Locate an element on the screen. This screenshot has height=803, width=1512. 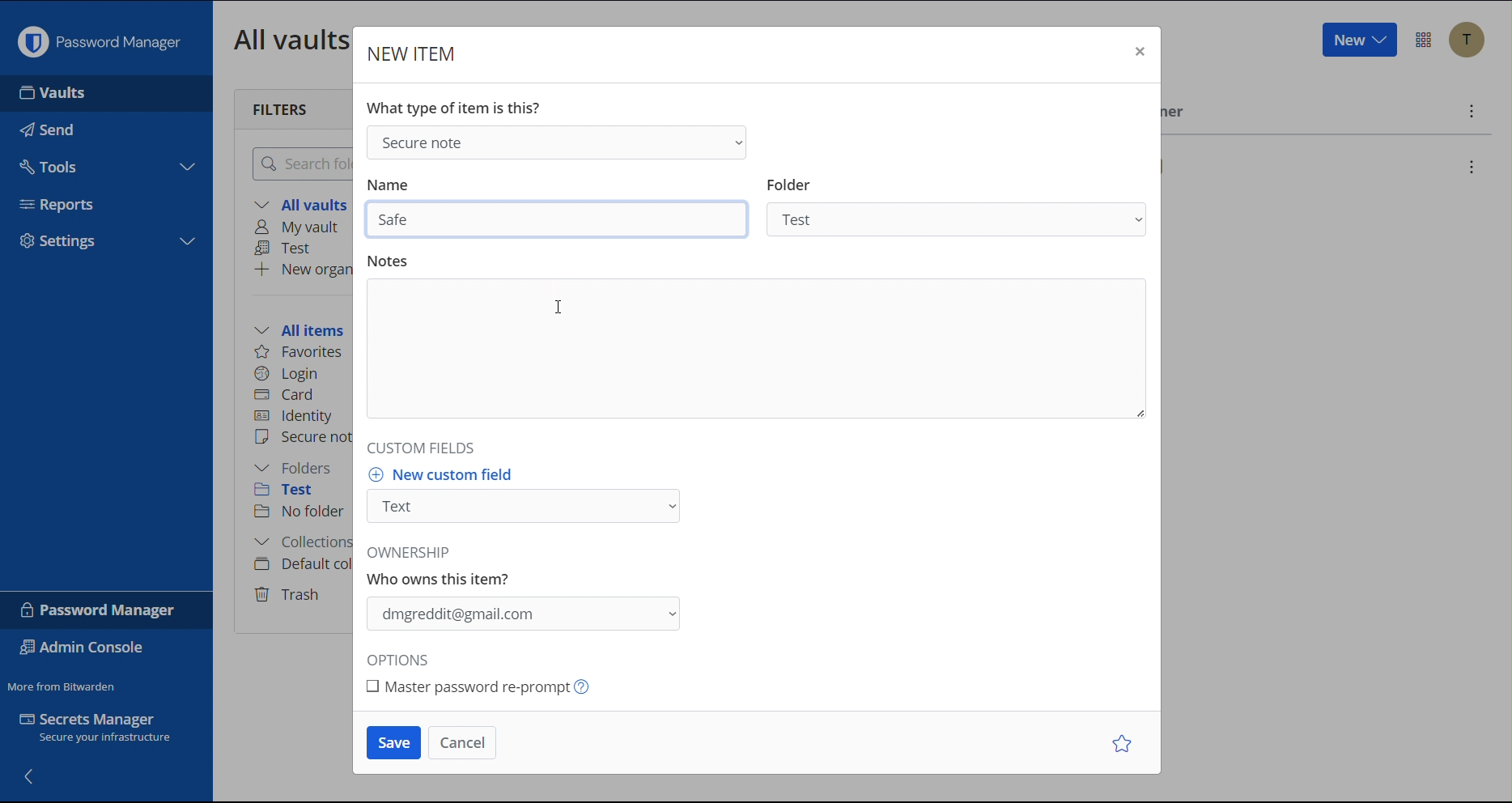
Identity is located at coordinates (295, 416).